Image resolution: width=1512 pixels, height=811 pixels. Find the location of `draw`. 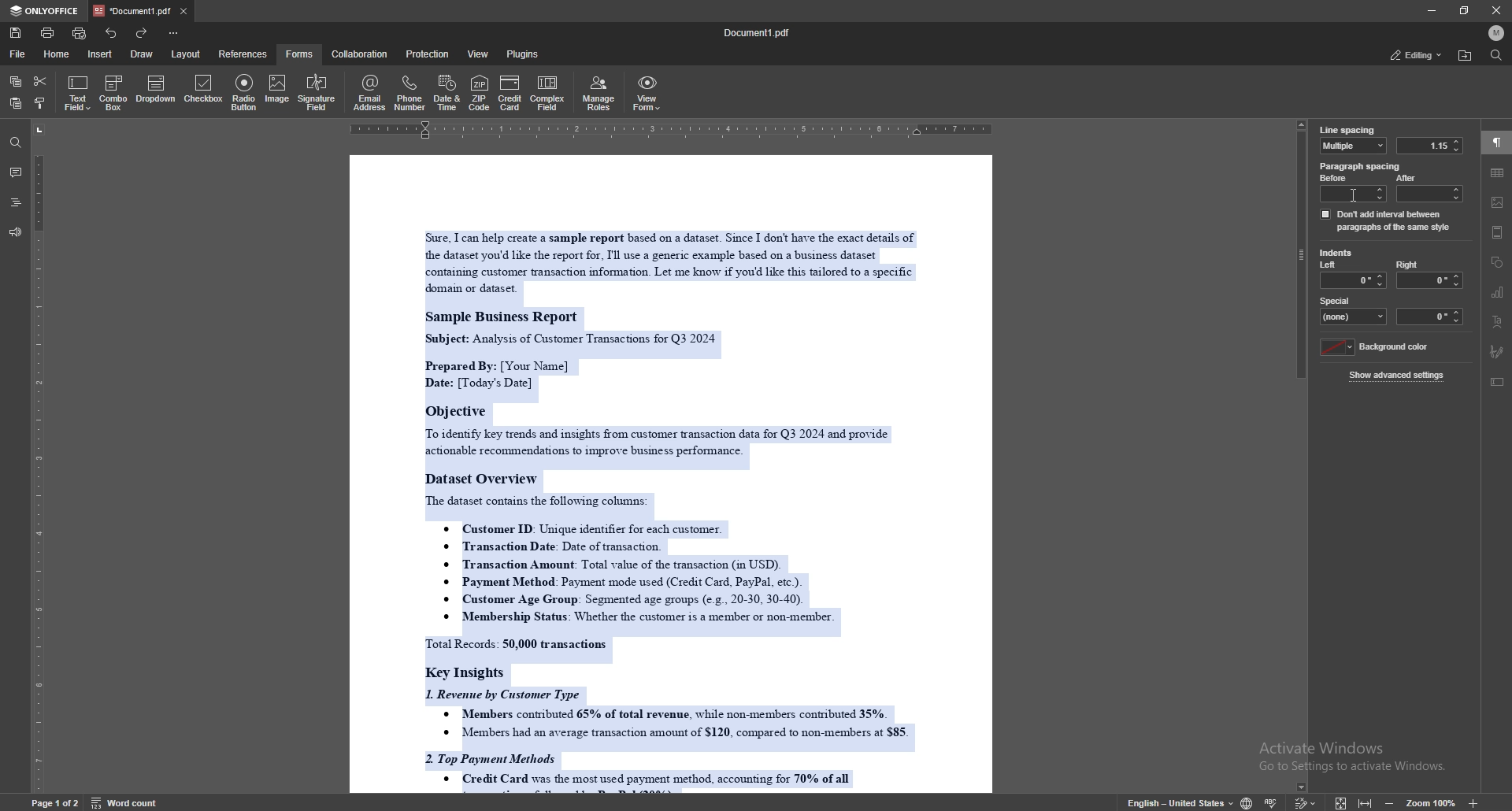

draw is located at coordinates (144, 53).